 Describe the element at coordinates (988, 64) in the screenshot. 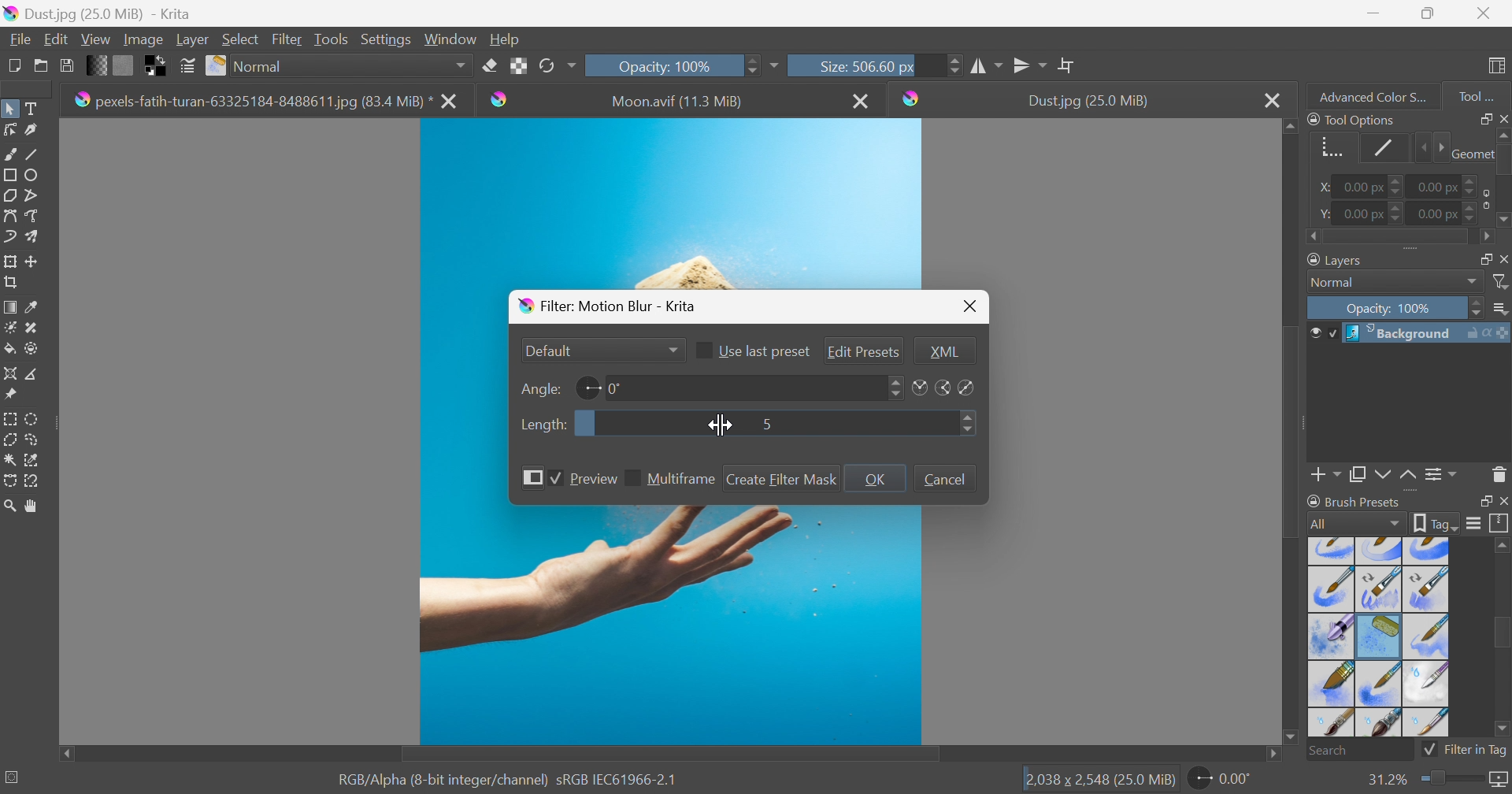

I see `Vertical mirror tool` at that location.